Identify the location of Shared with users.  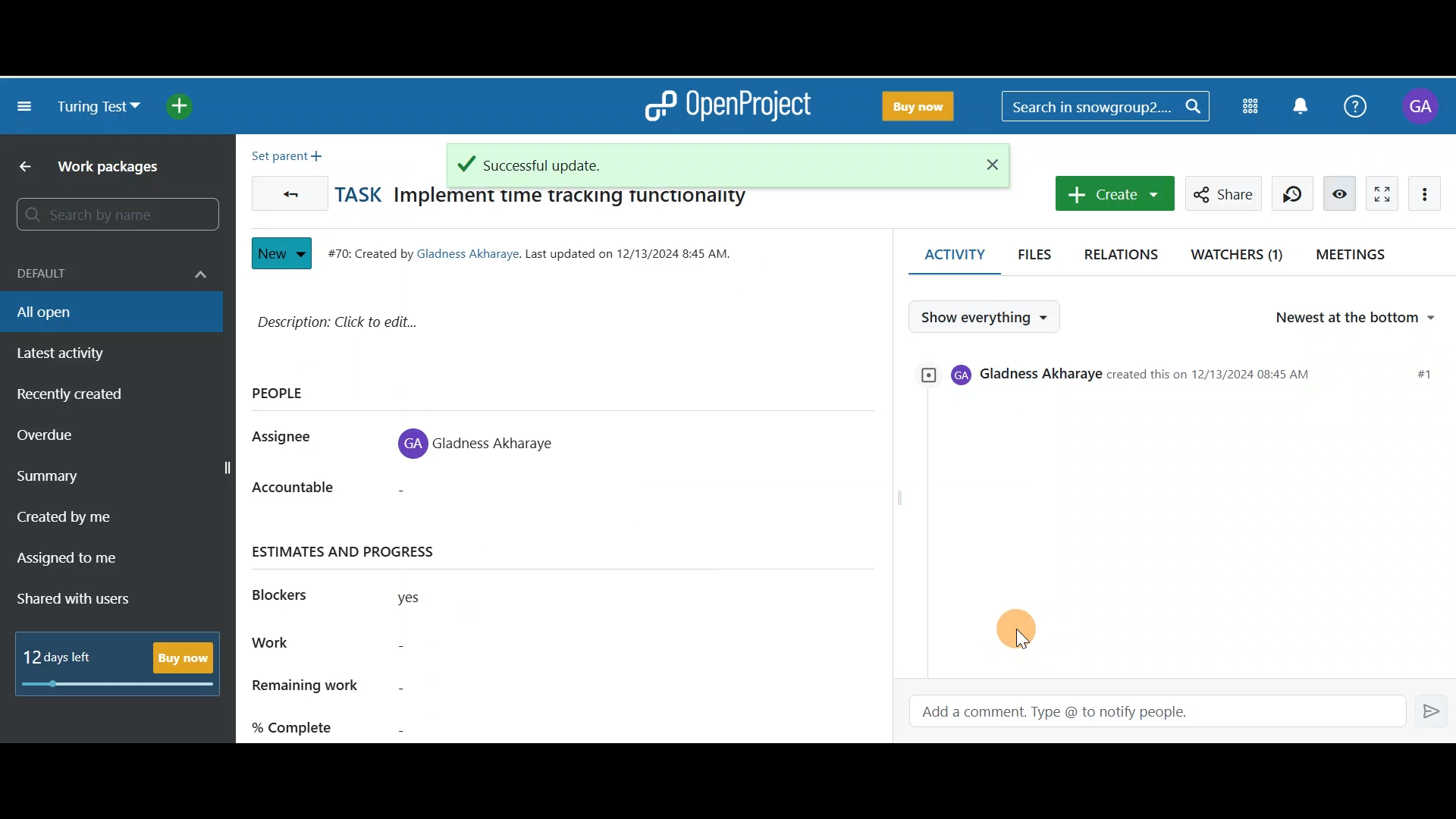
(86, 600).